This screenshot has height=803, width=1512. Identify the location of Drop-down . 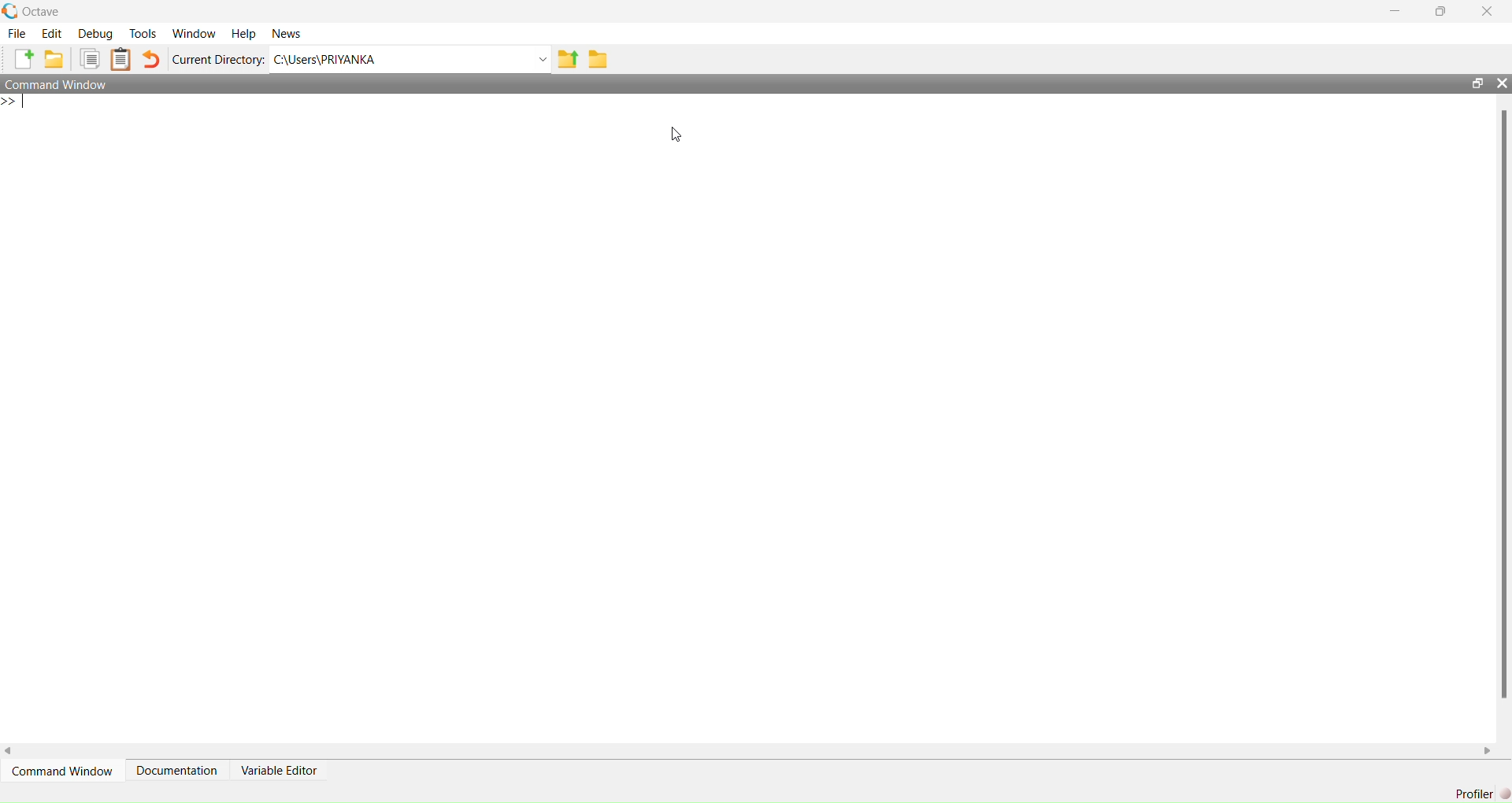
(542, 60).